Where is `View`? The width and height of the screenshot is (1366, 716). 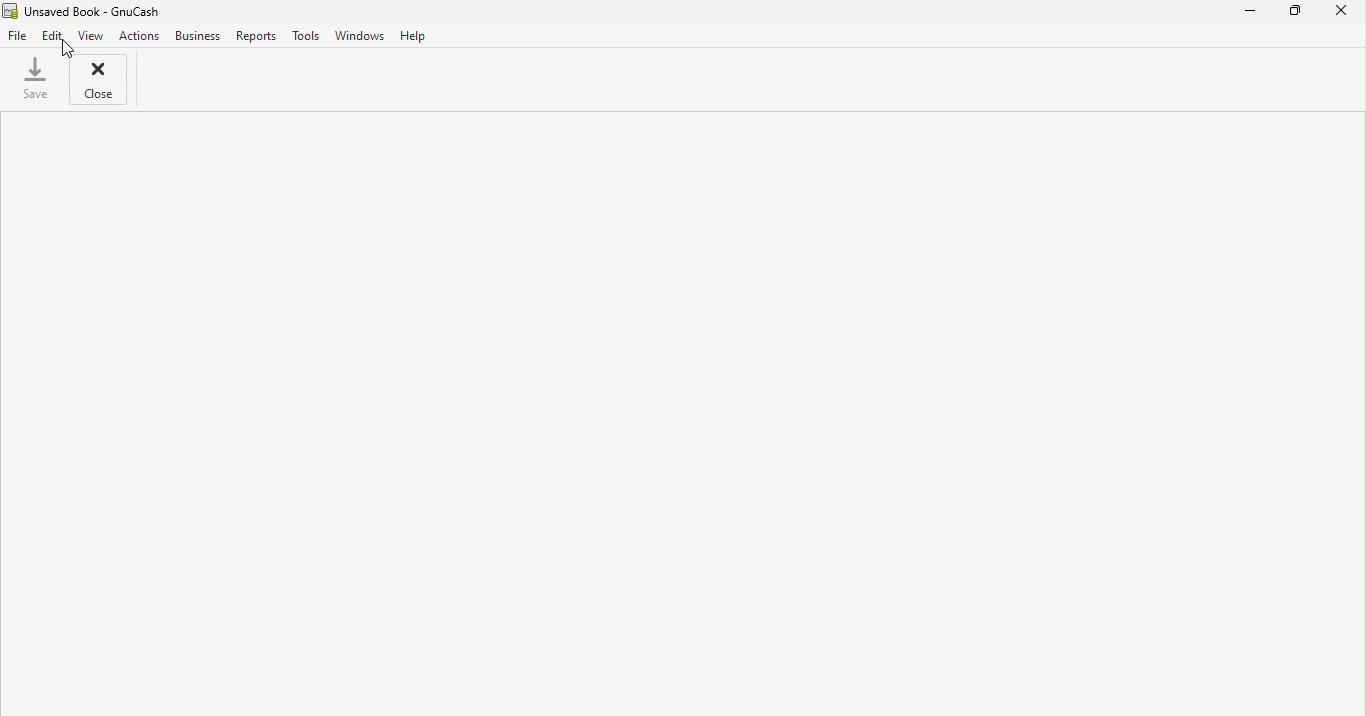
View is located at coordinates (93, 36).